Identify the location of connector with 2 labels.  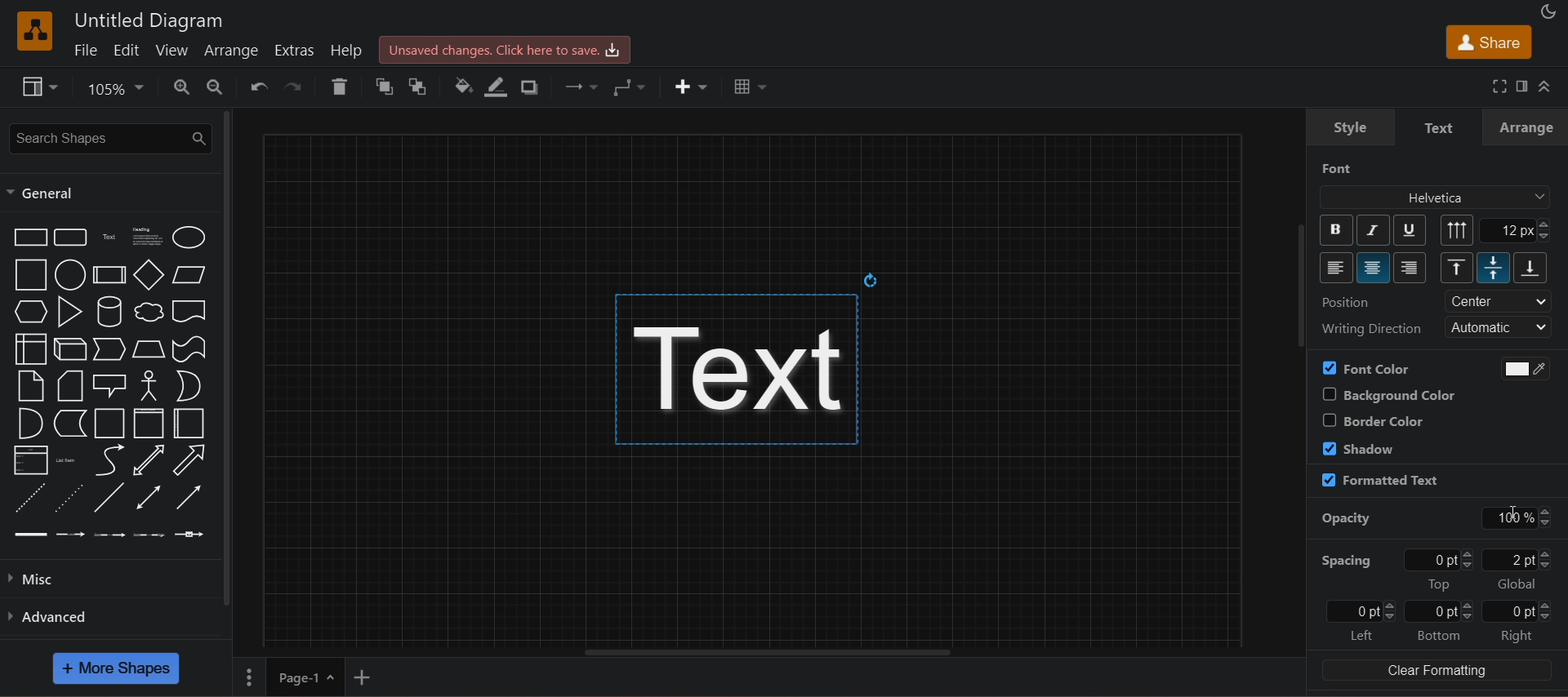
(110, 535).